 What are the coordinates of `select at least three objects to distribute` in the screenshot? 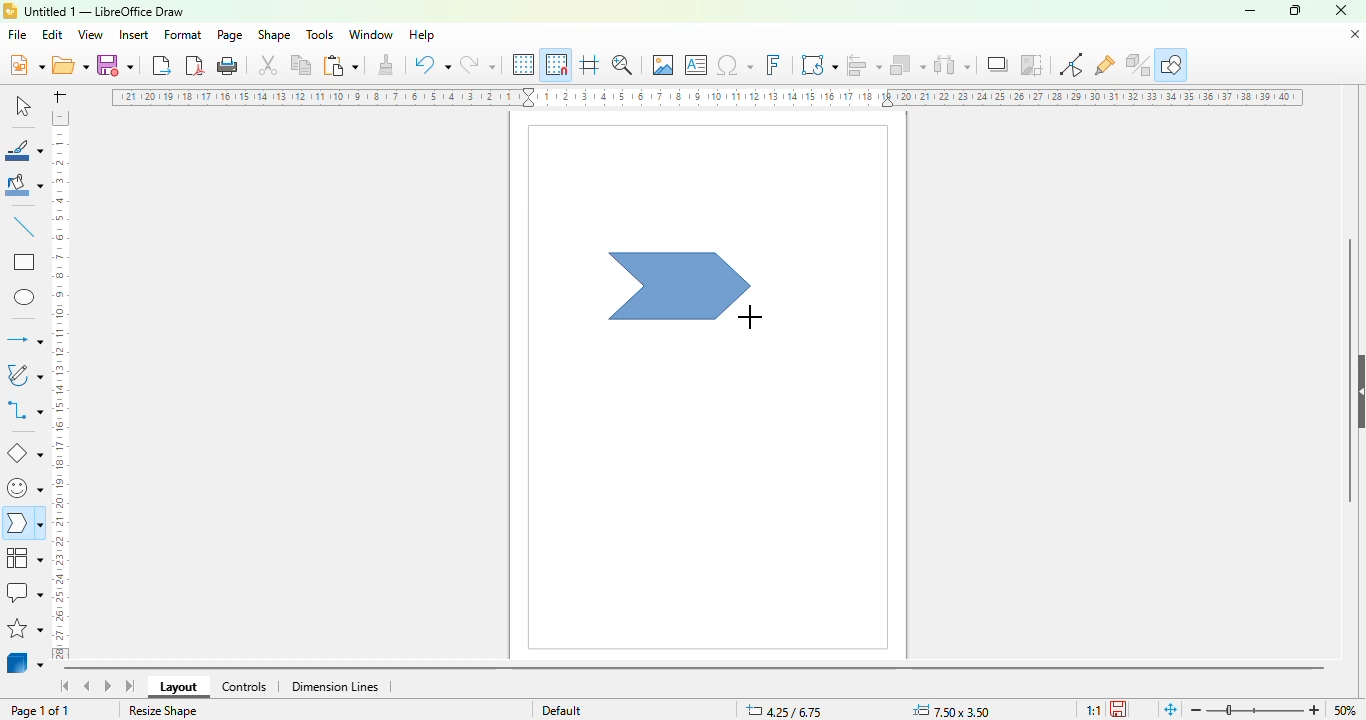 It's located at (952, 64).